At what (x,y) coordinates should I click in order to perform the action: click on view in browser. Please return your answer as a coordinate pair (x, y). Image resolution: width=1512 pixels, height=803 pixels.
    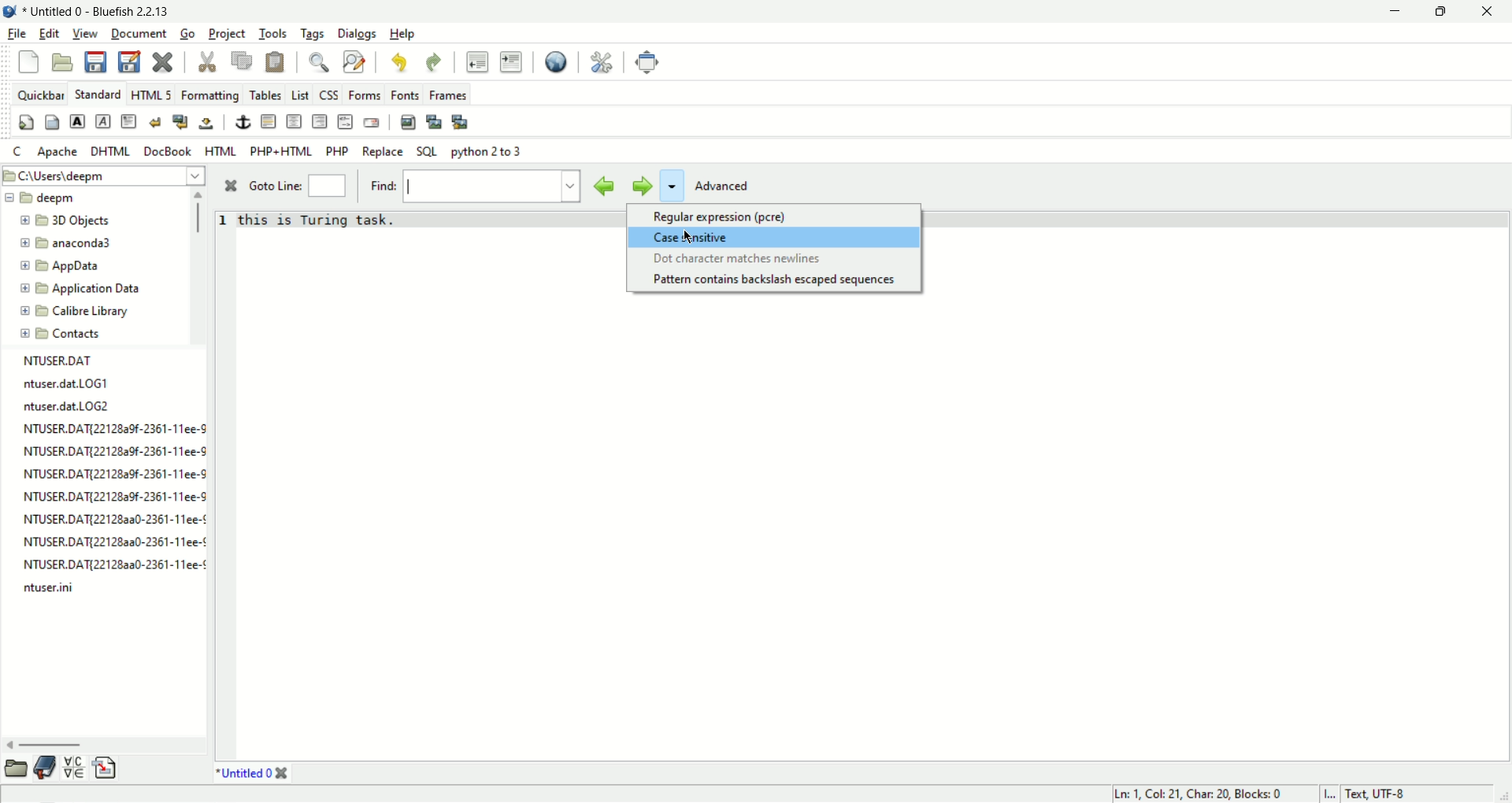
    Looking at the image, I should click on (556, 63).